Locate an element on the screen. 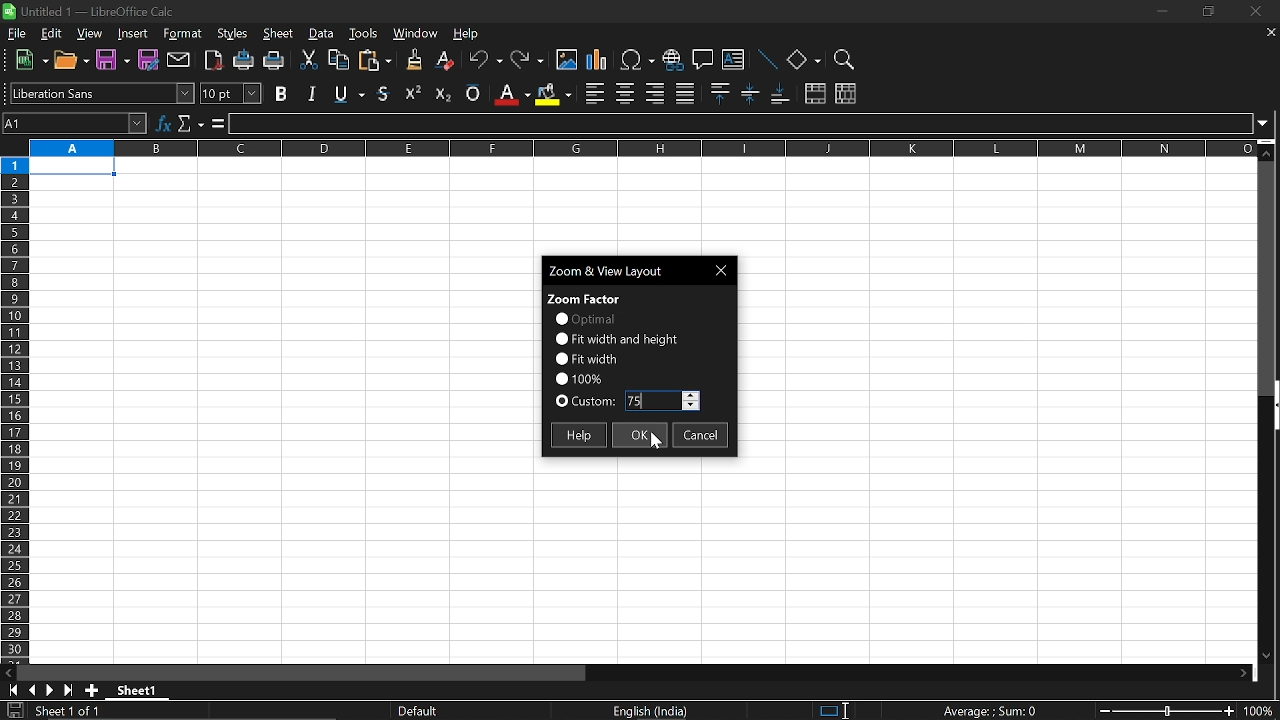 The image size is (1280, 720). clone formatting is located at coordinates (410, 59).